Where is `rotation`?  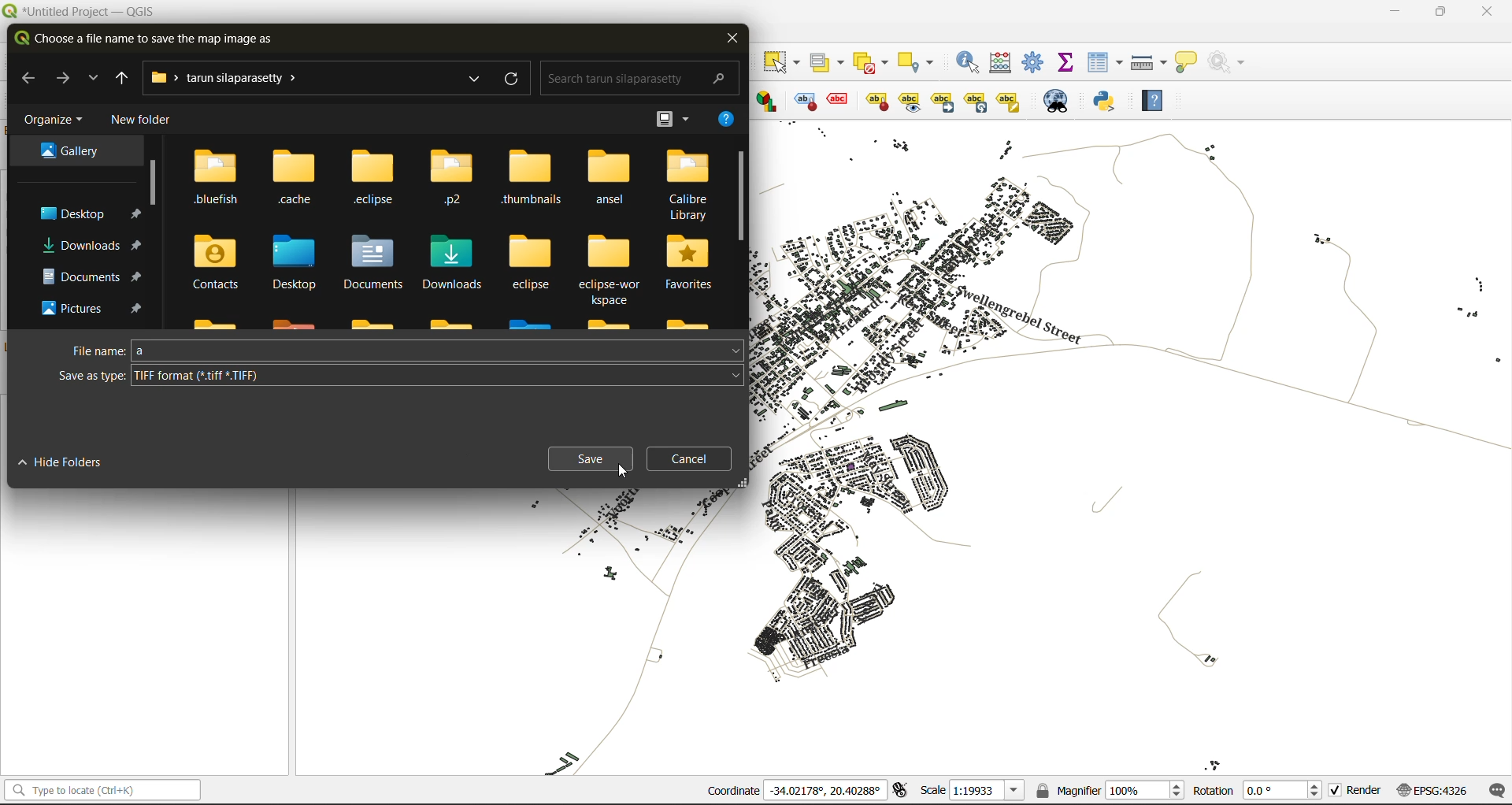
rotation is located at coordinates (1258, 789).